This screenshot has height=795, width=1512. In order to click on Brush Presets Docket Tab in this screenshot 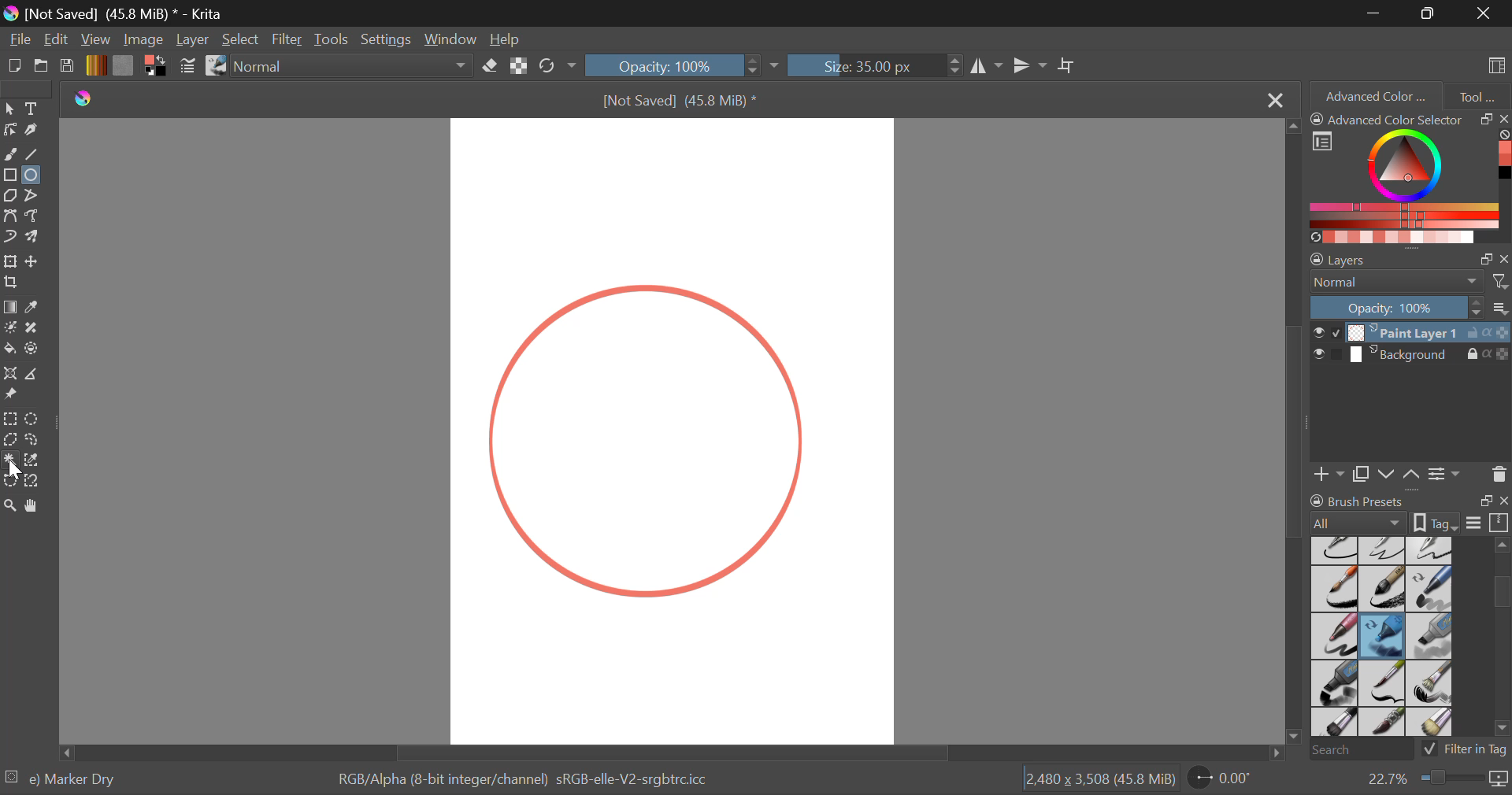, I will do `click(1409, 509)`.